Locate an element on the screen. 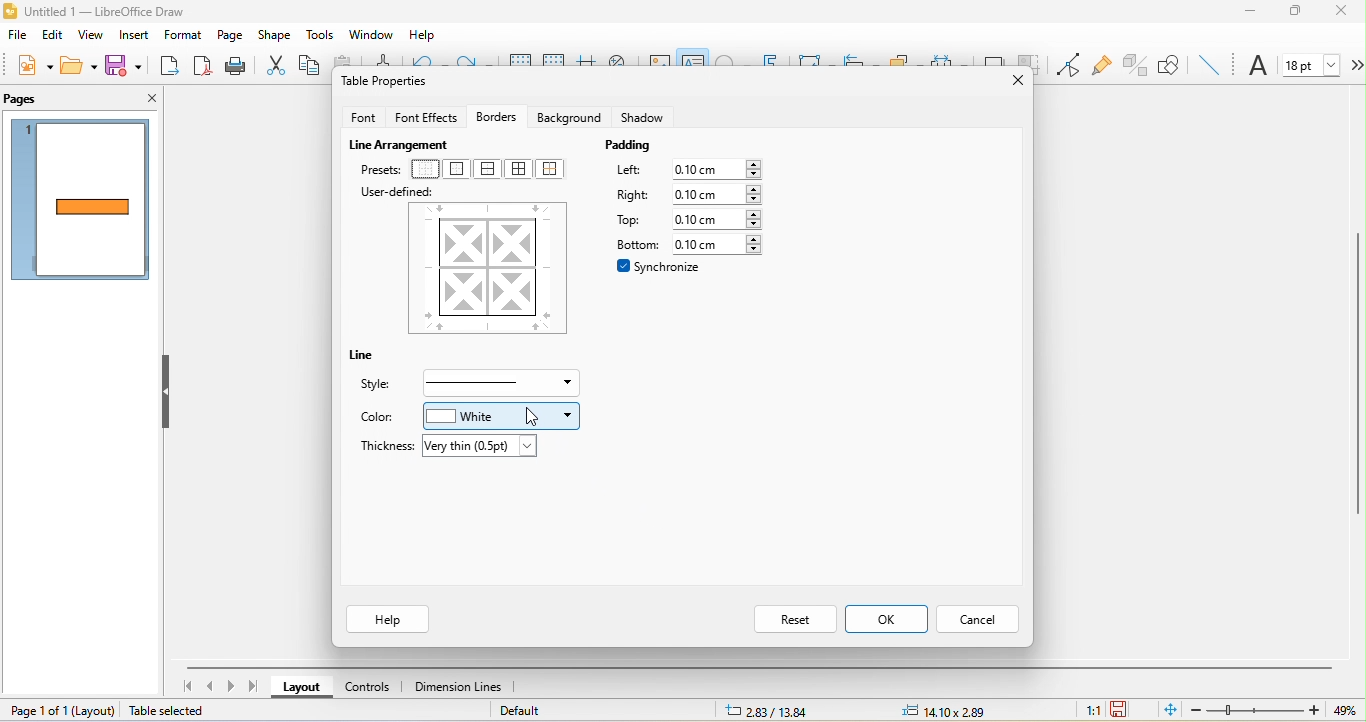 The width and height of the screenshot is (1366, 722). edit is located at coordinates (51, 34).